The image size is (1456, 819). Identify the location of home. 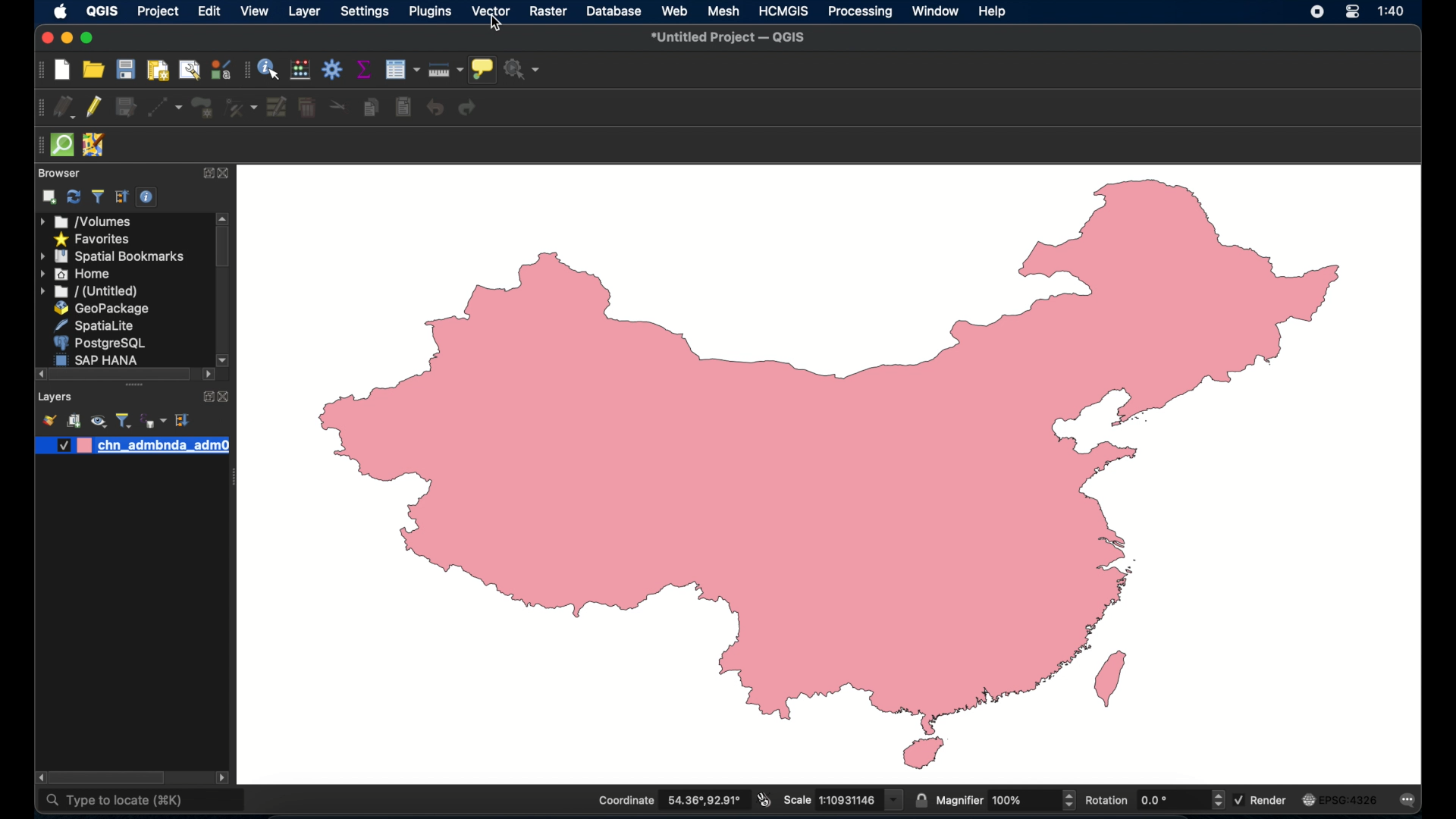
(75, 274).